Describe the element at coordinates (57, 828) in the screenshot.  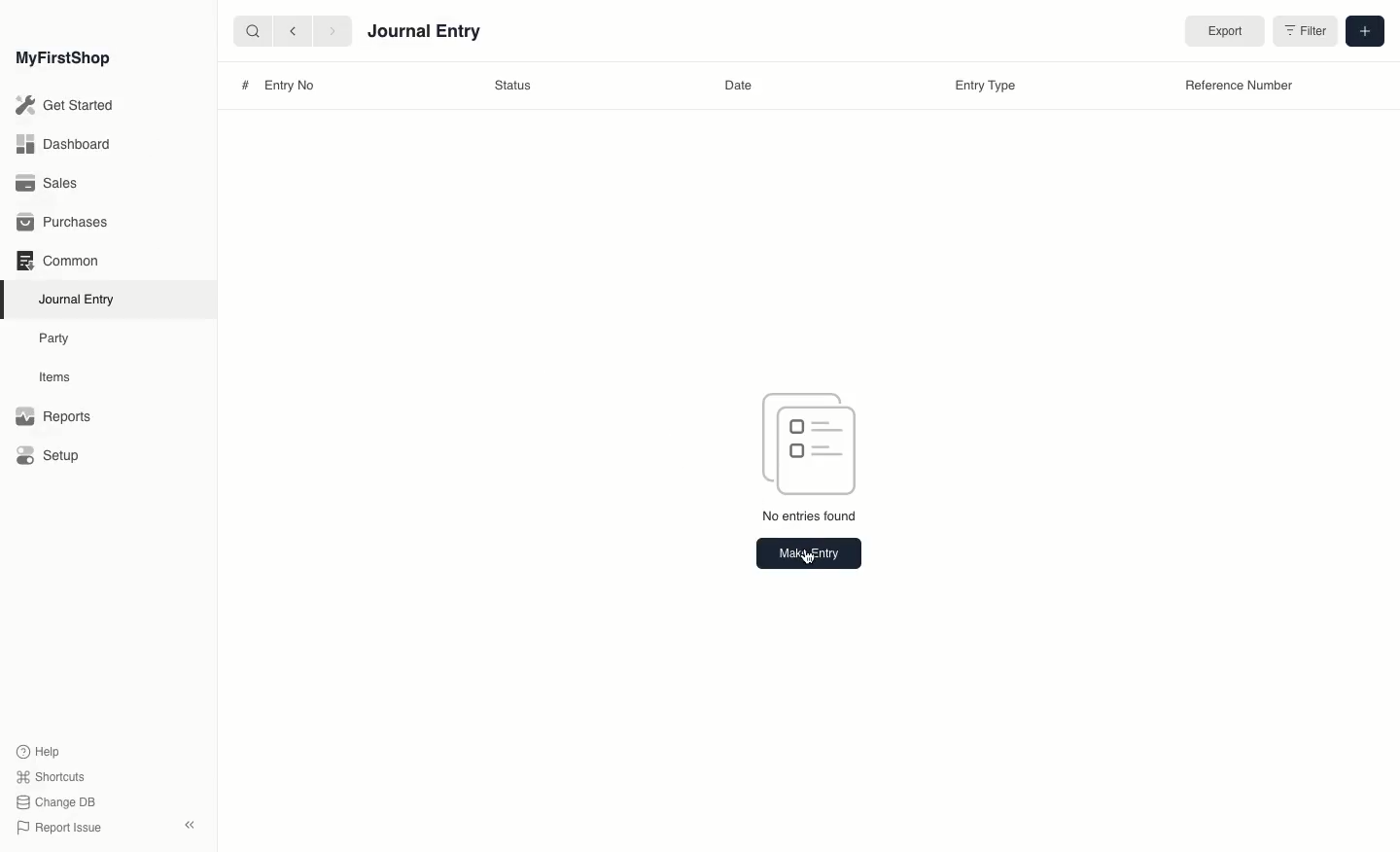
I see `Report Issue` at that location.